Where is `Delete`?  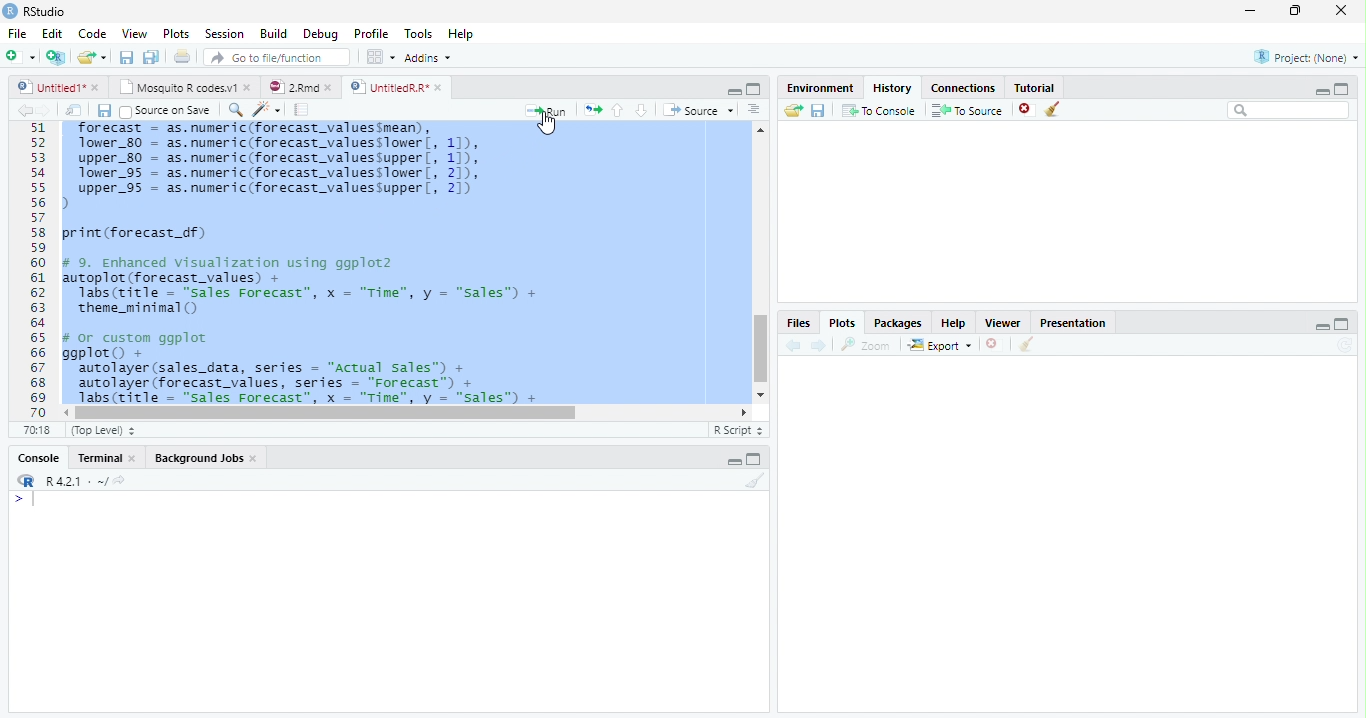
Delete is located at coordinates (1025, 107).